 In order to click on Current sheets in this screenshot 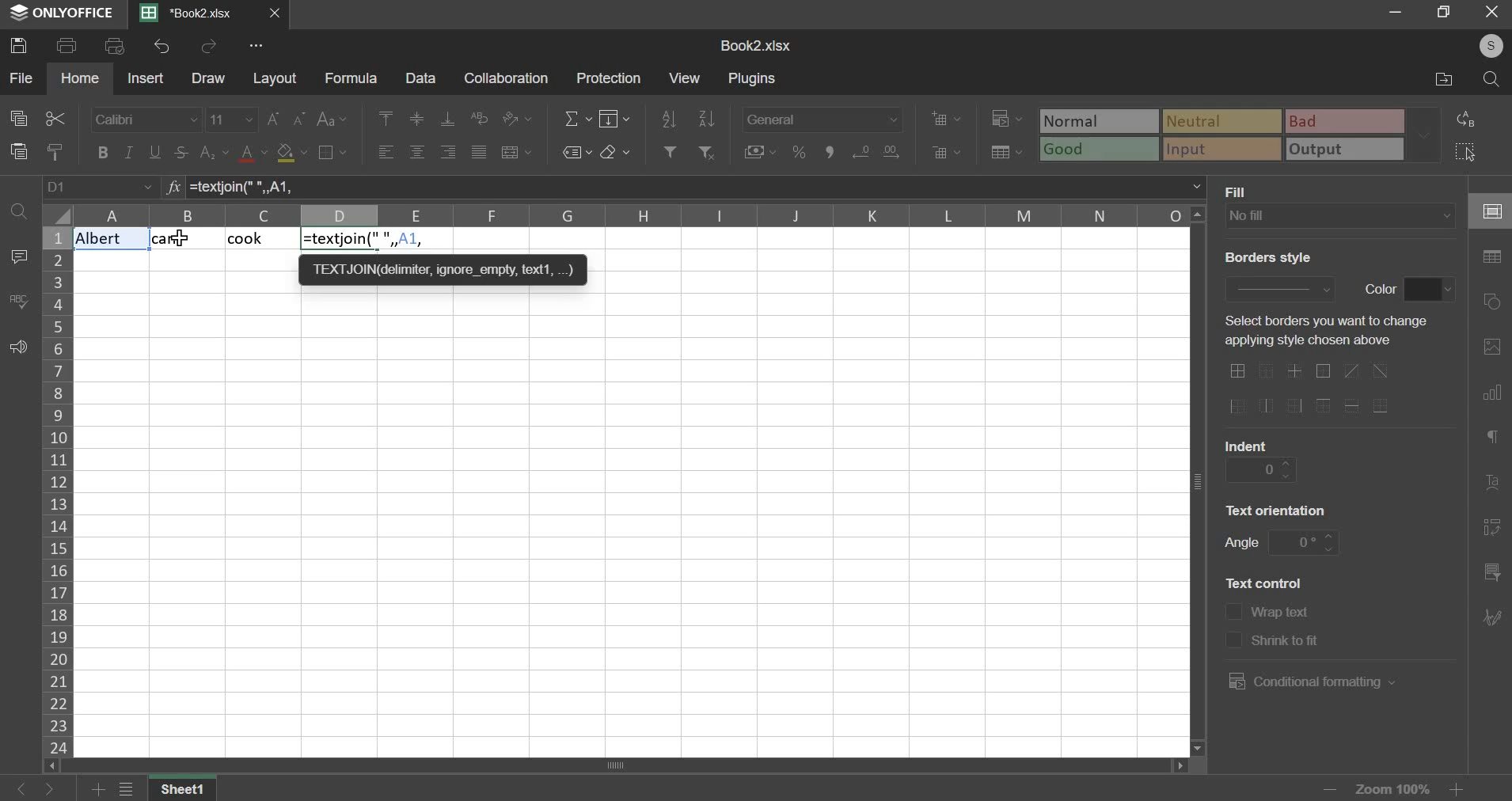, I will do `click(194, 13)`.